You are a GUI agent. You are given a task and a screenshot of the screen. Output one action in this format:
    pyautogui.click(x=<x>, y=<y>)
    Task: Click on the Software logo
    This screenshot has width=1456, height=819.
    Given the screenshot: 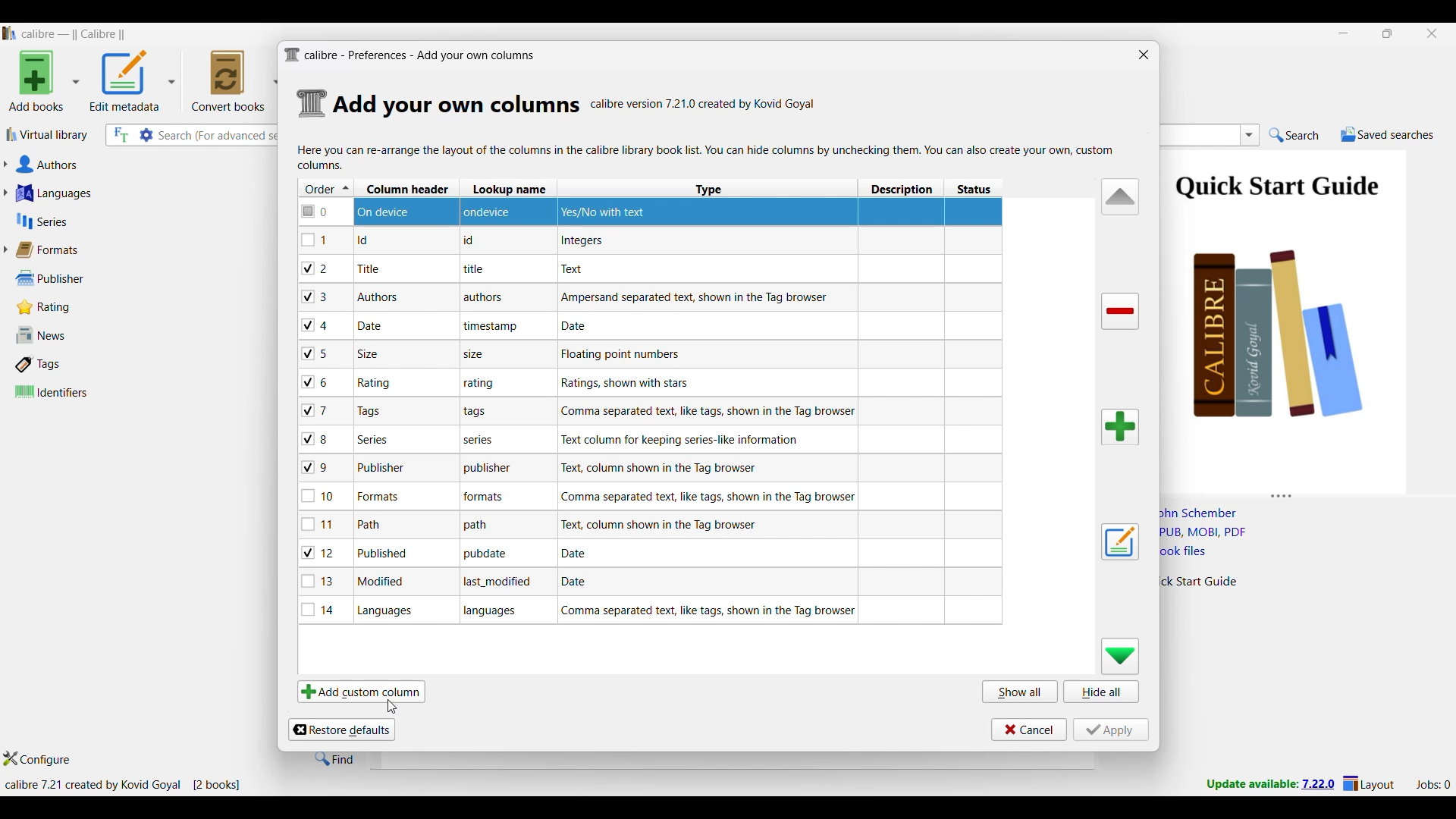 What is the action you would take?
    pyautogui.click(x=10, y=33)
    